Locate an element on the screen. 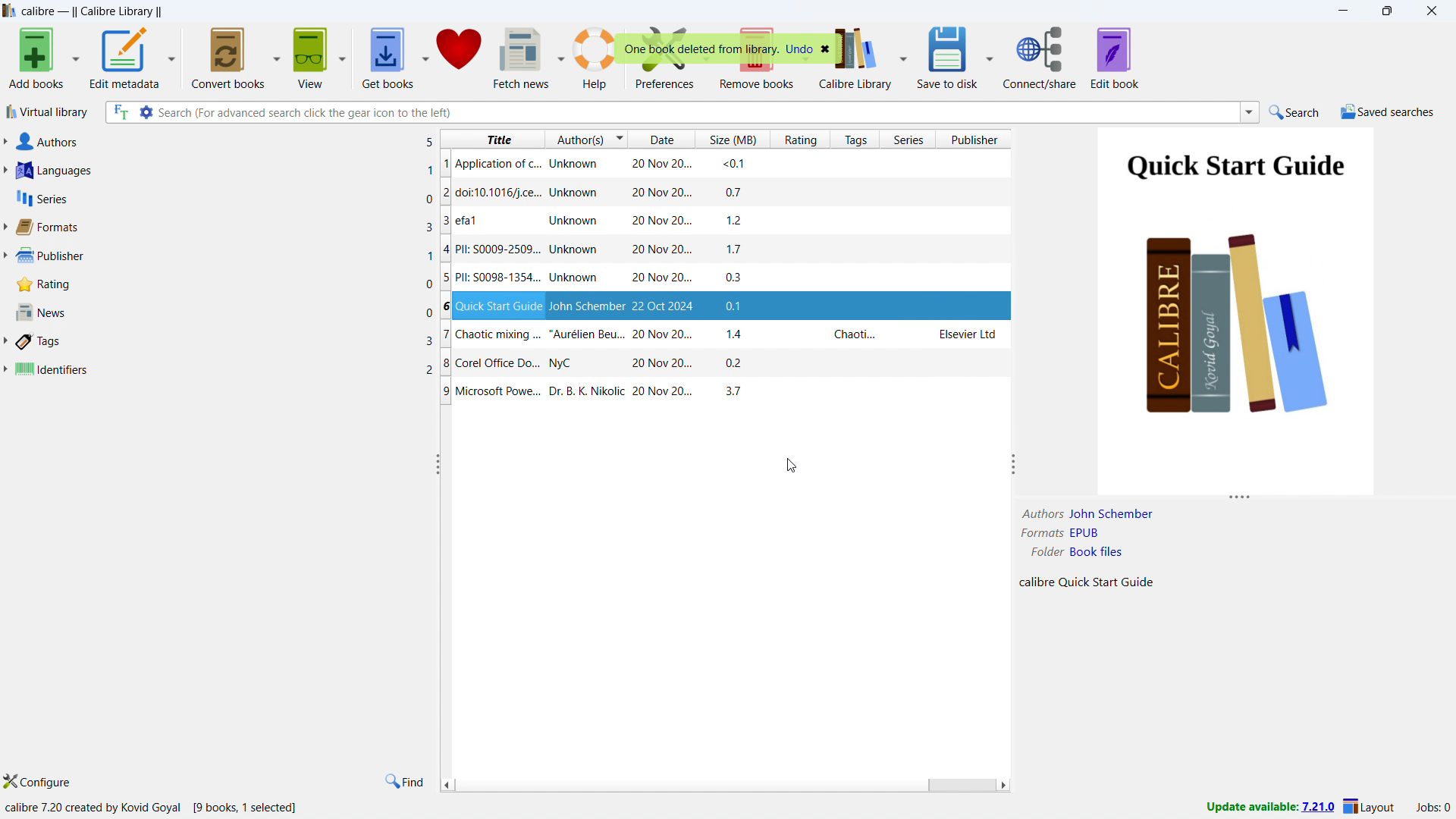 The height and width of the screenshot is (819, 1456). cursor is located at coordinates (790, 465).